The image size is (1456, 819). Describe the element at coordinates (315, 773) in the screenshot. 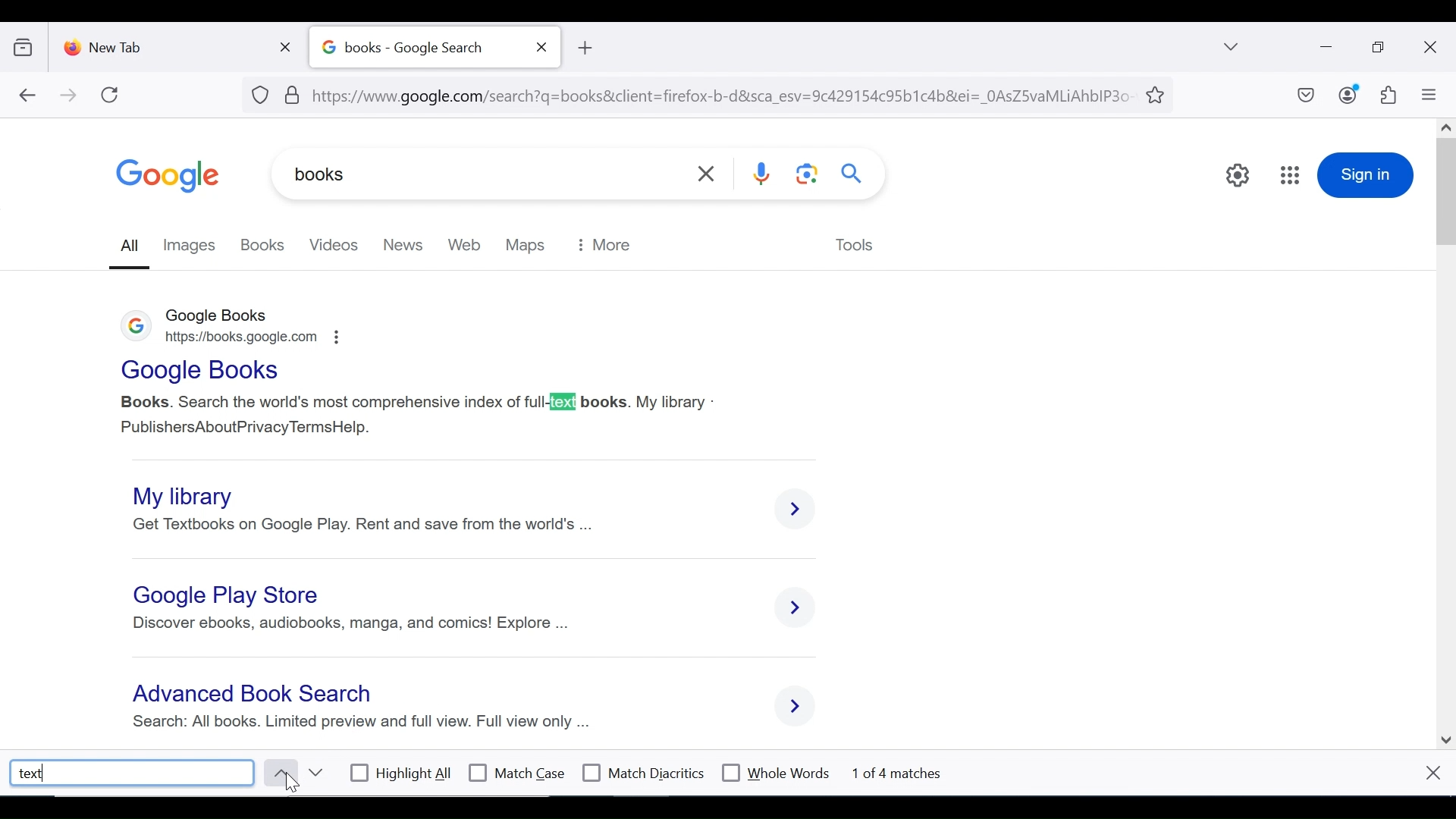

I see `next` at that location.